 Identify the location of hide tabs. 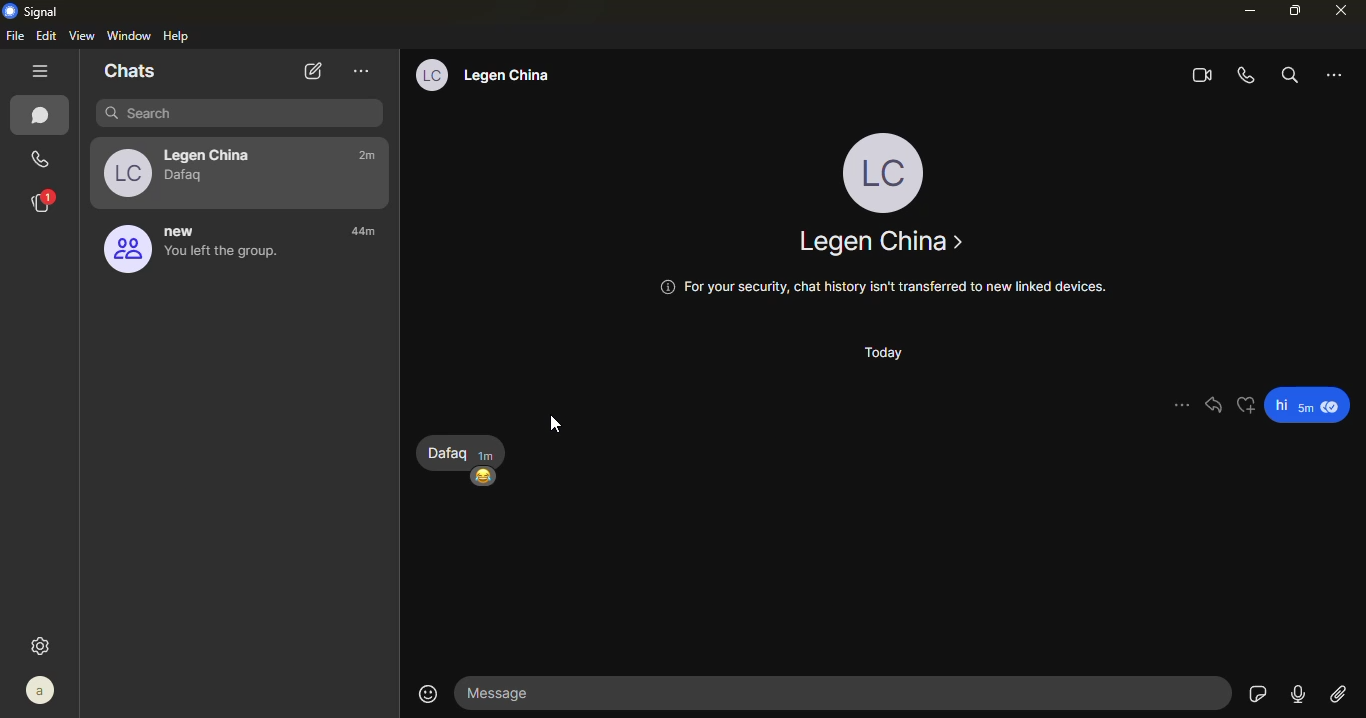
(42, 72).